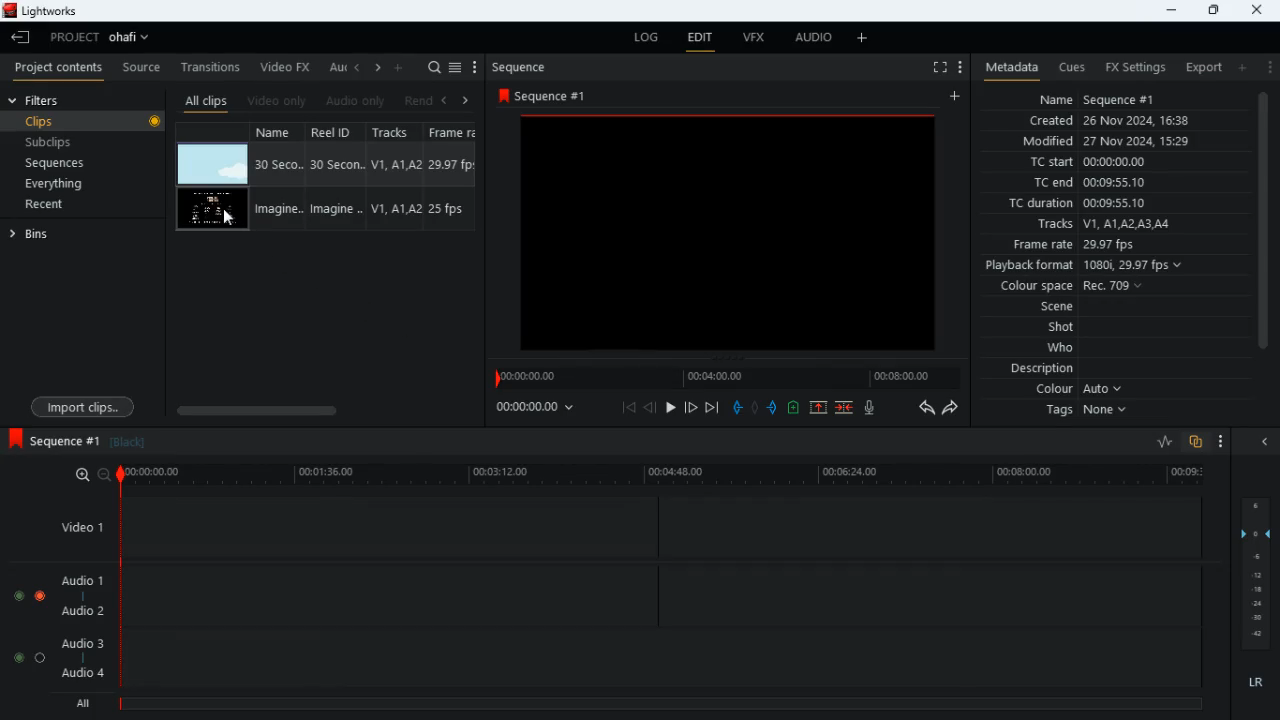 This screenshot has width=1280, height=720. Describe the element at coordinates (871, 407) in the screenshot. I see `mic` at that location.